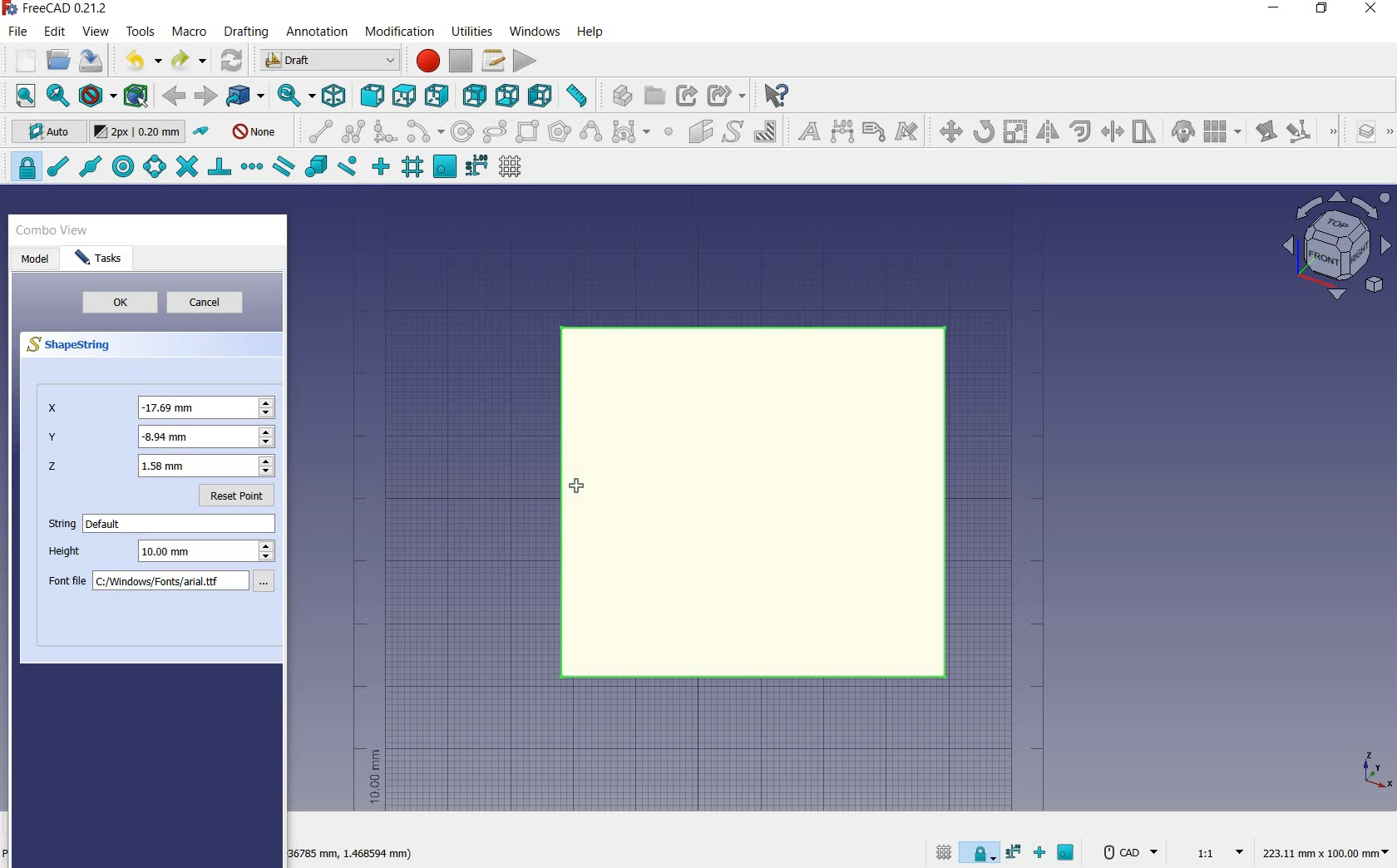 The height and width of the screenshot is (868, 1397). I want to click on font file, so click(168, 584).